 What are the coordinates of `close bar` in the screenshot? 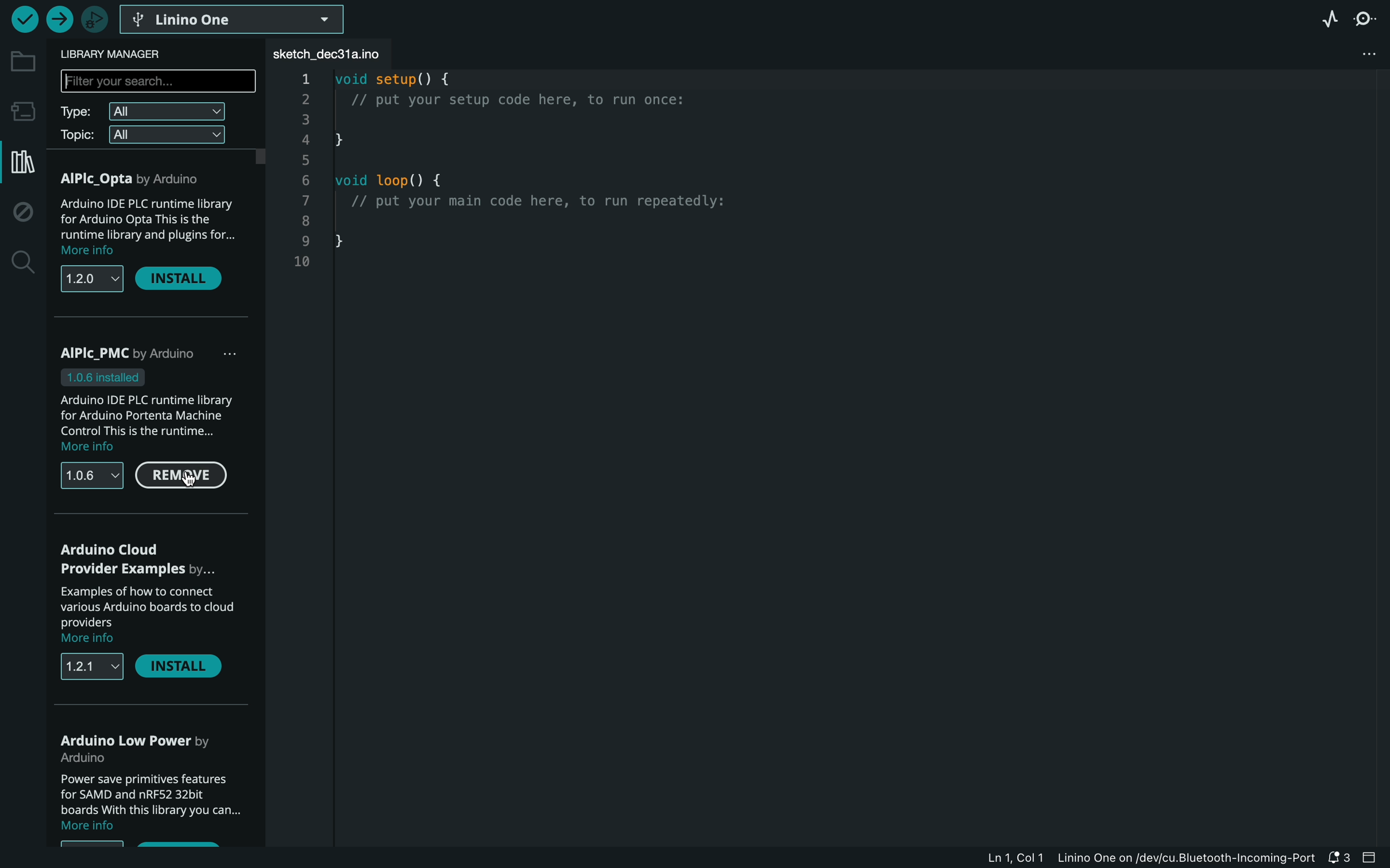 It's located at (1373, 858).